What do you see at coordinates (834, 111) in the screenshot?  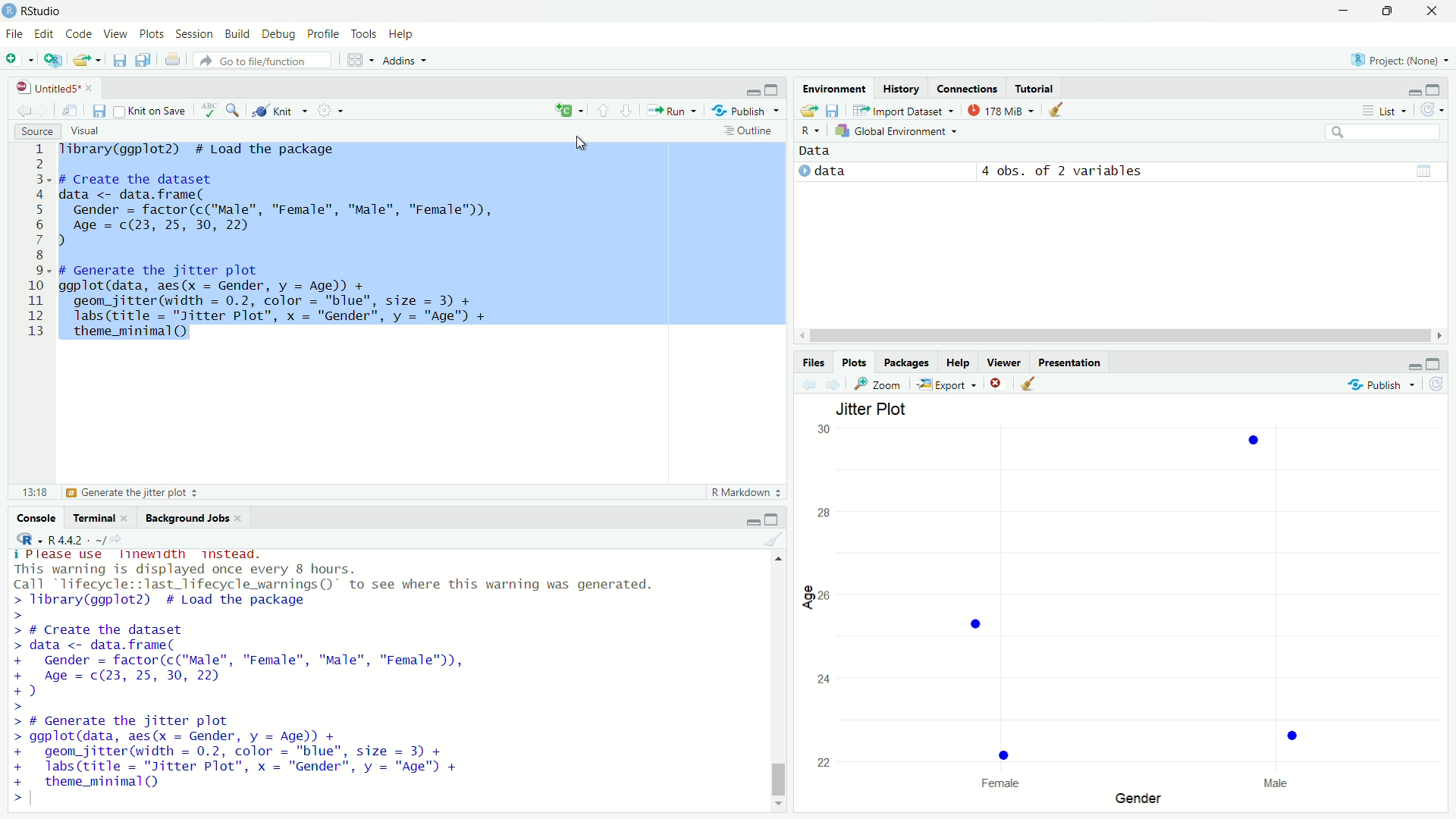 I see `save workspace as` at bounding box center [834, 111].